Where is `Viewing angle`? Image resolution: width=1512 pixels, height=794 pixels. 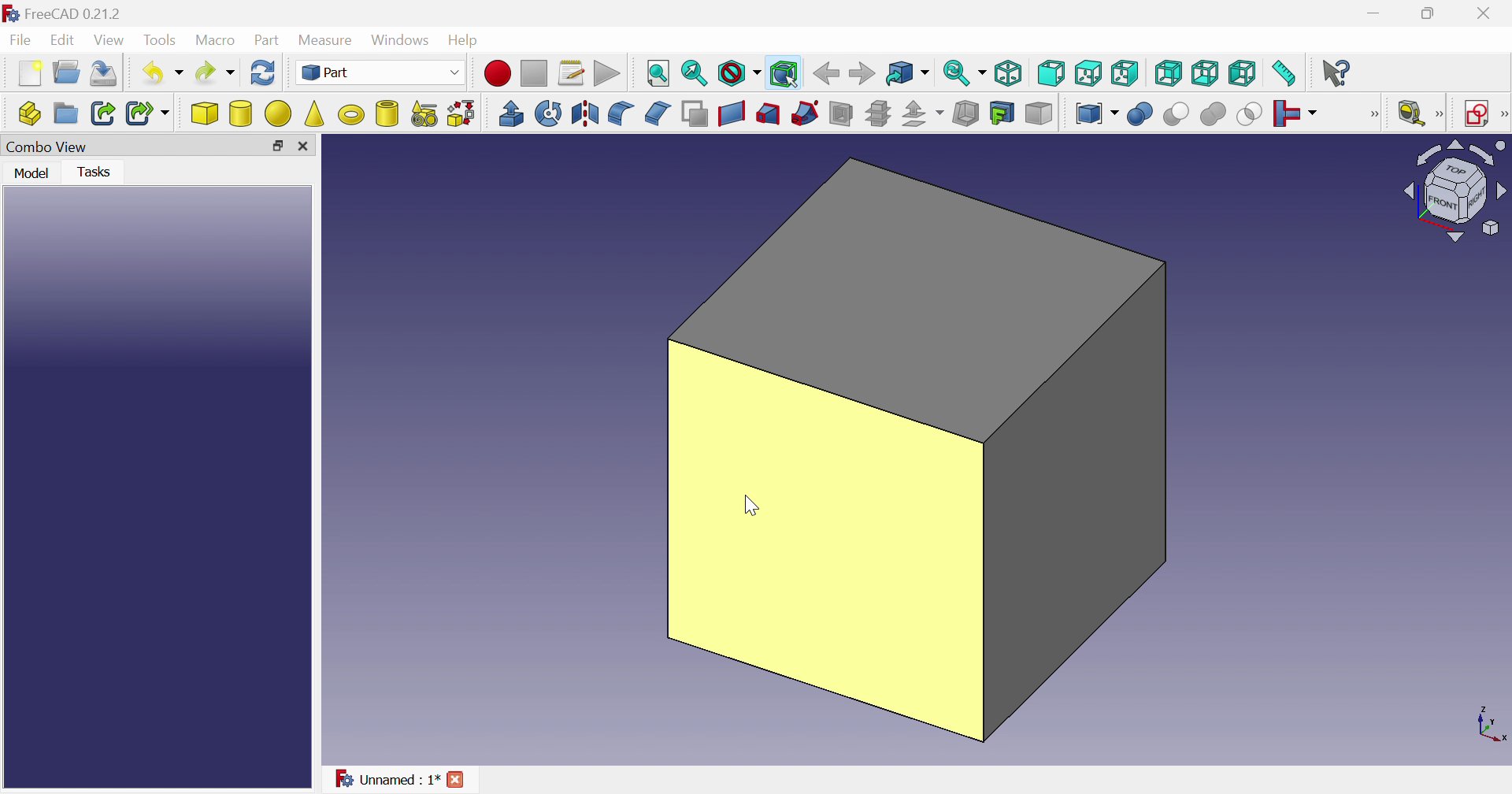 Viewing angle is located at coordinates (1455, 191).